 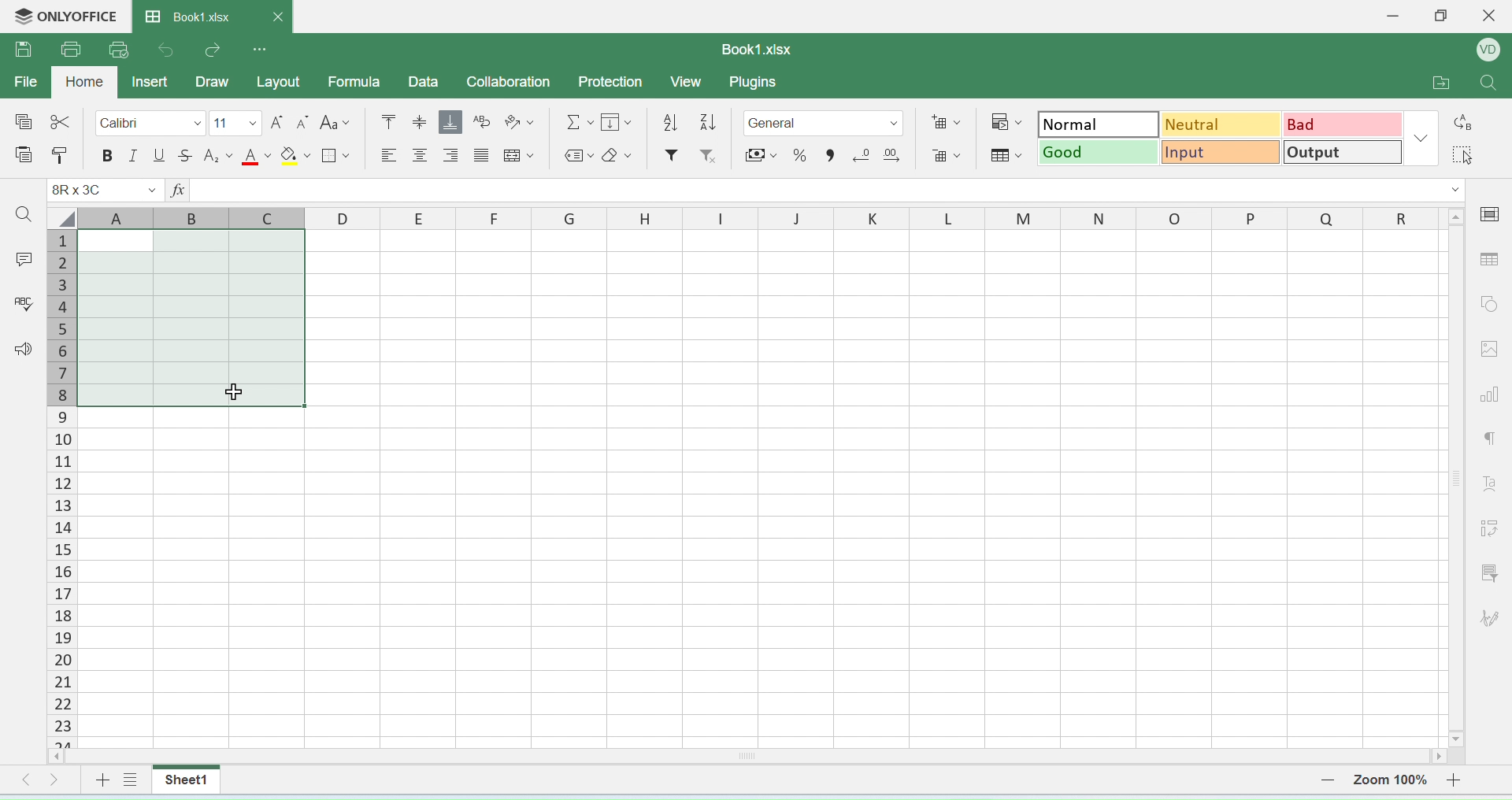 What do you see at coordinates (1218, 124) in the screenshot?
I see `neutral` at bounding box center [1218, 124].